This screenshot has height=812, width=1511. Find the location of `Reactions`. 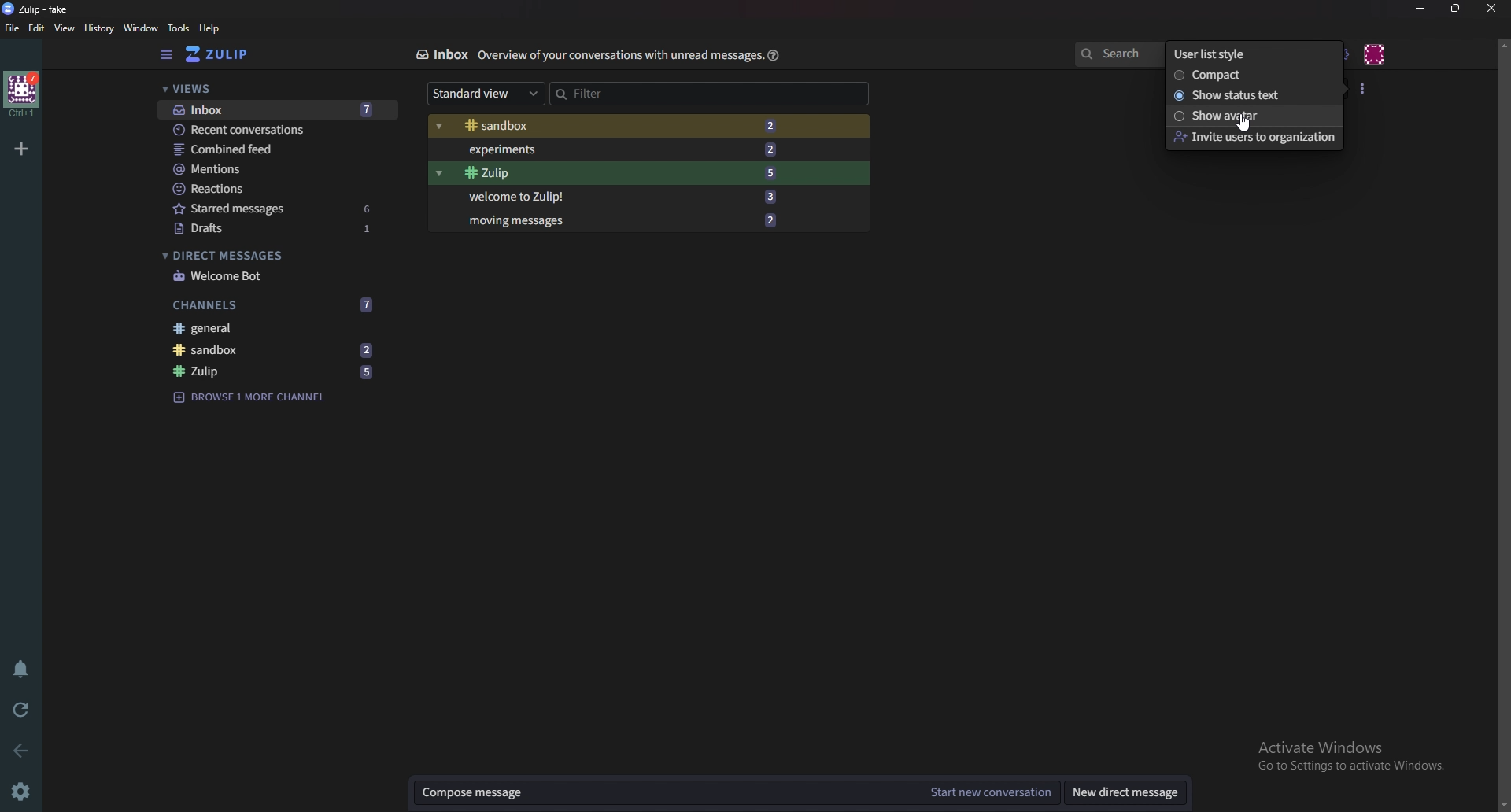

Reactions is located at coordinates (279, 188).